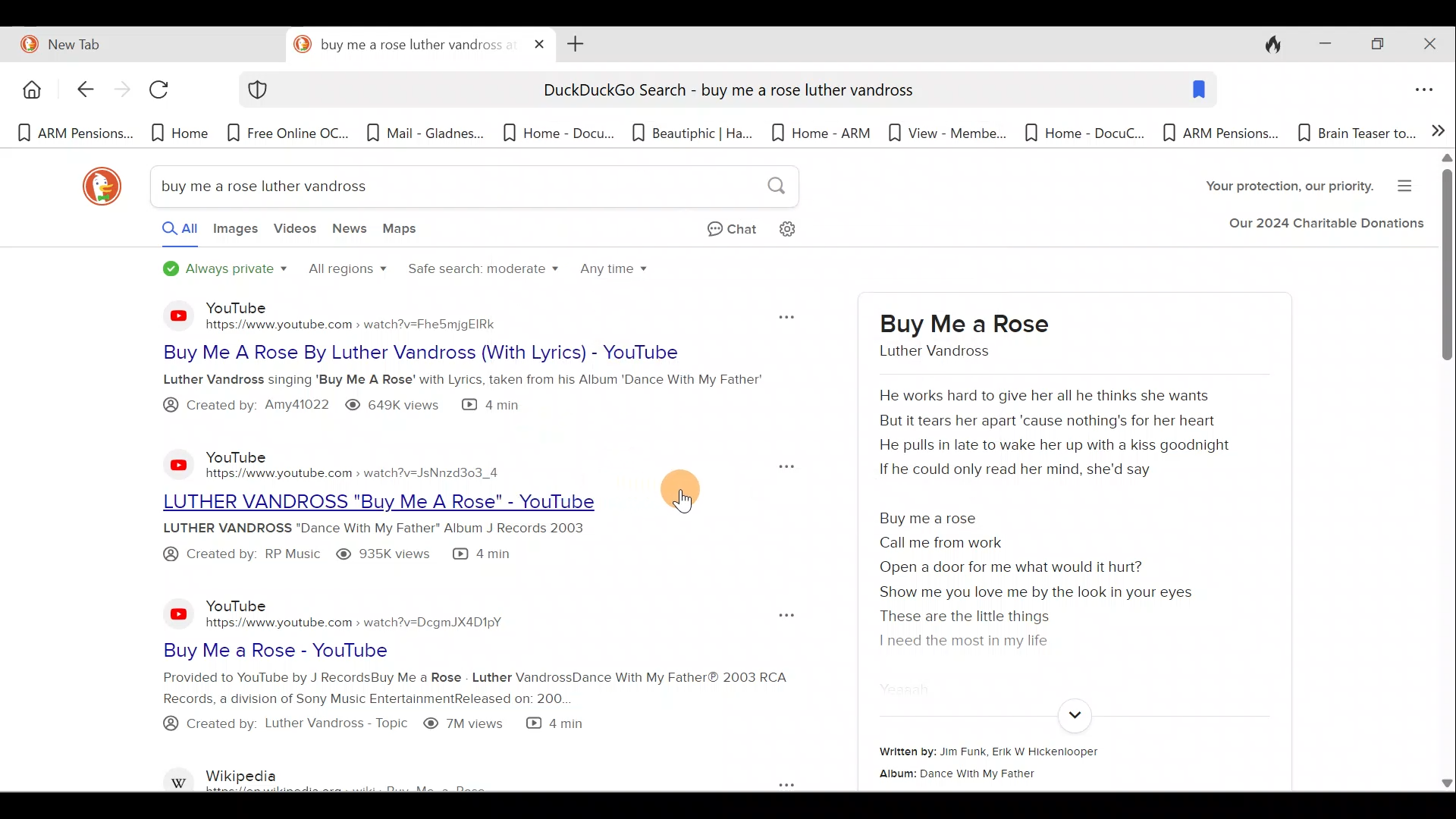 The height and width of the screenshot is (819, 1456). What do you see at coordinates (95, 187) in the screenshot?
I see `DuckDuckGo logo` at bounding box center [95, 187].